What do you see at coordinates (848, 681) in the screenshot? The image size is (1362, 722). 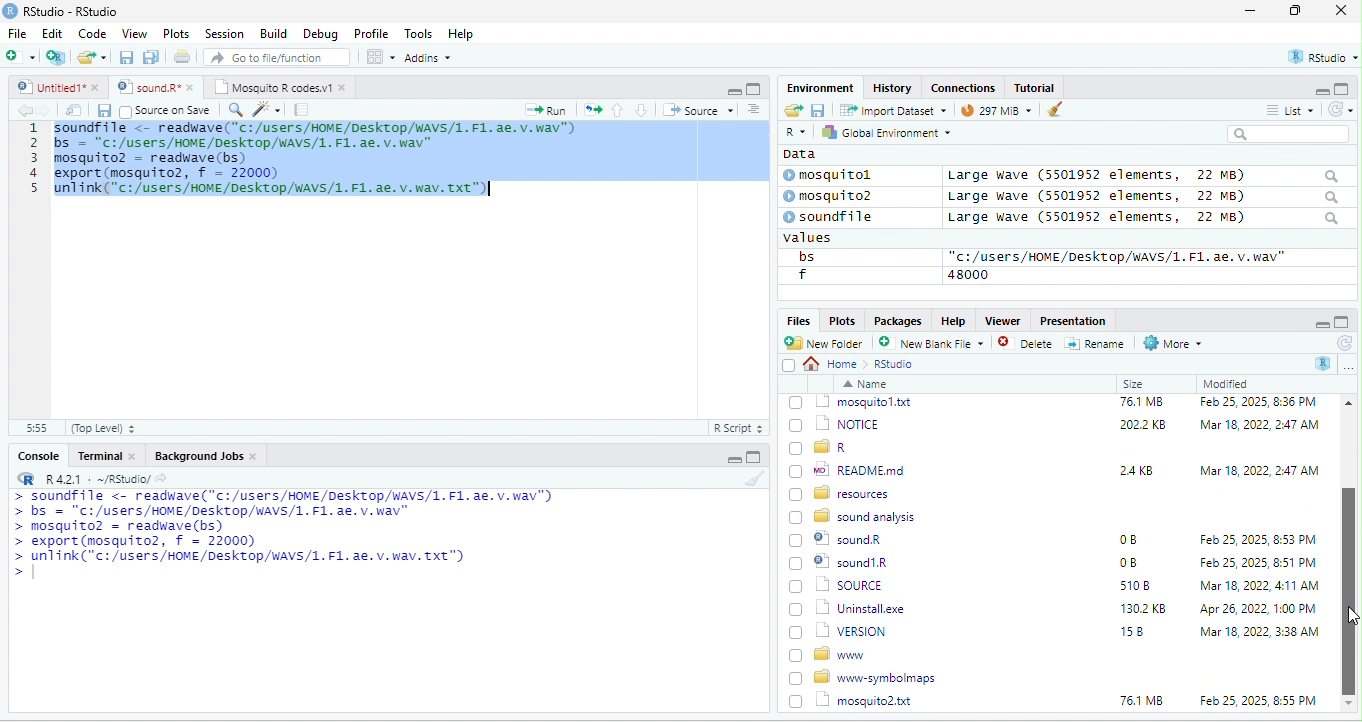 I see `| SOURCE` at bounding box center [848, 681].